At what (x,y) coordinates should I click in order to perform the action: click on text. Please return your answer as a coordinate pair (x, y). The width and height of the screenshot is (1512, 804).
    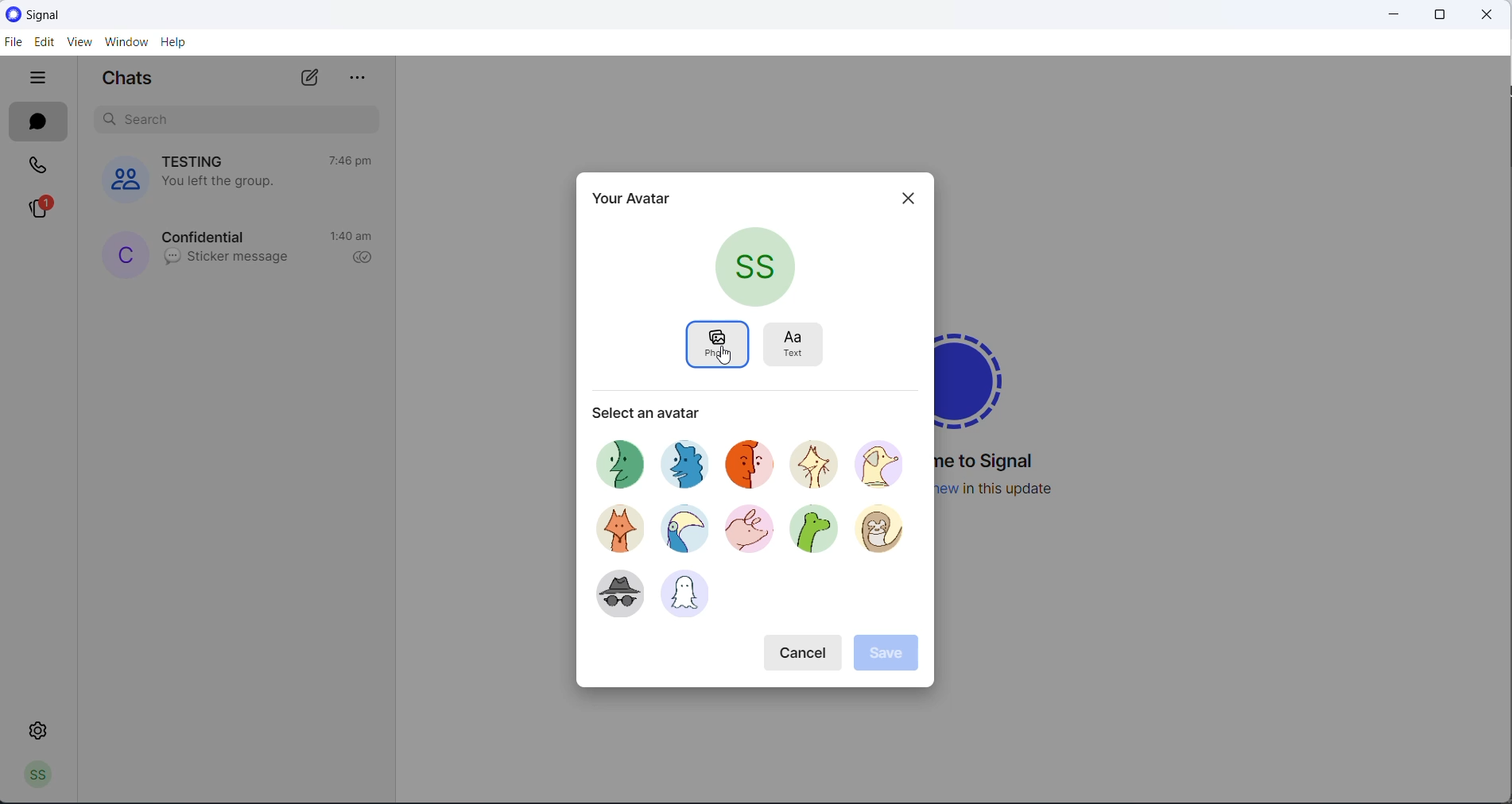
    Looking at the image, I should click on (798, 342).